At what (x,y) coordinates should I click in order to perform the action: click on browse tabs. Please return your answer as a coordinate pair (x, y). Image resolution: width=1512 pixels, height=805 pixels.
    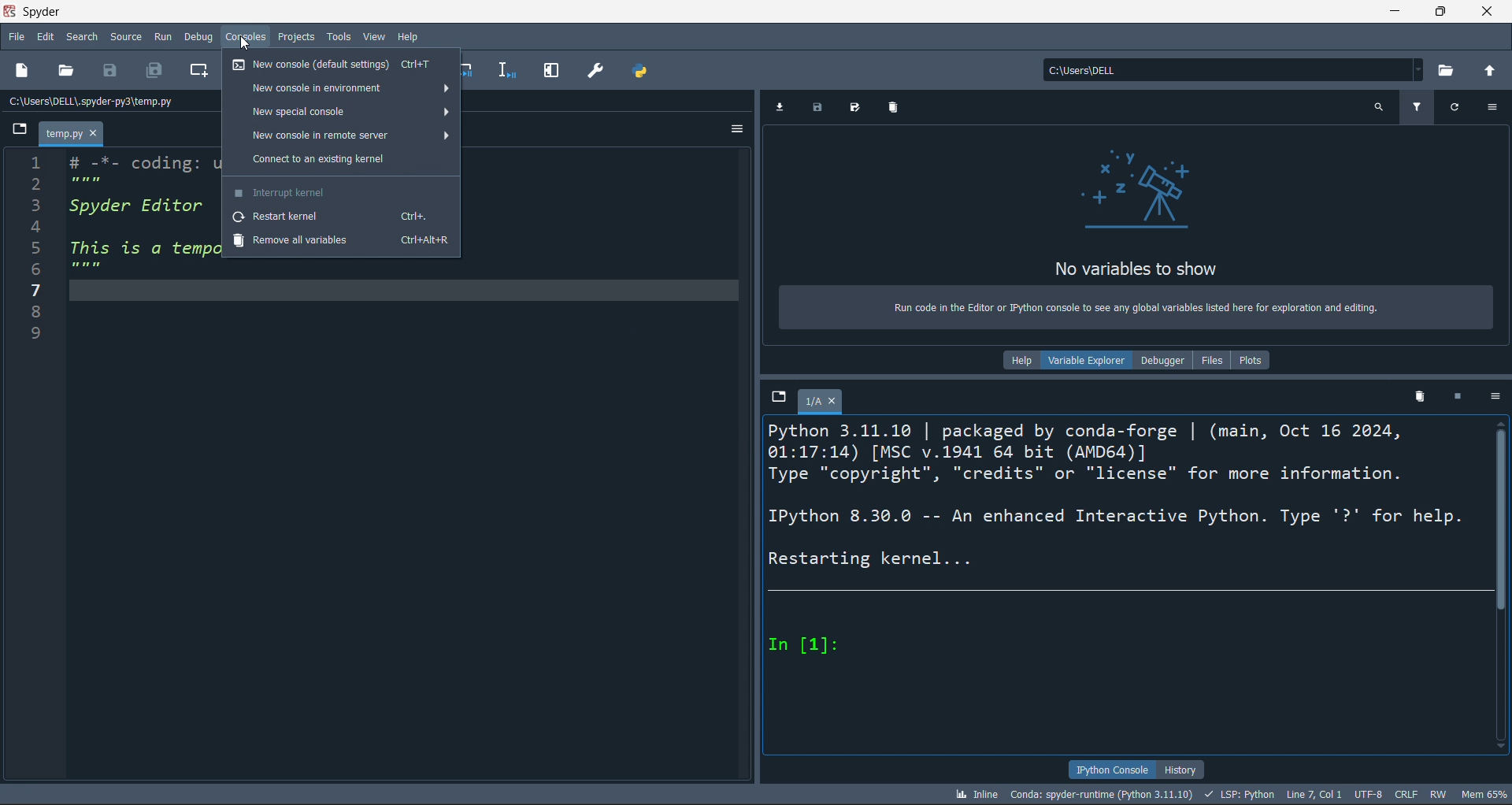
    Looking at the image, I should click on (778, 399).